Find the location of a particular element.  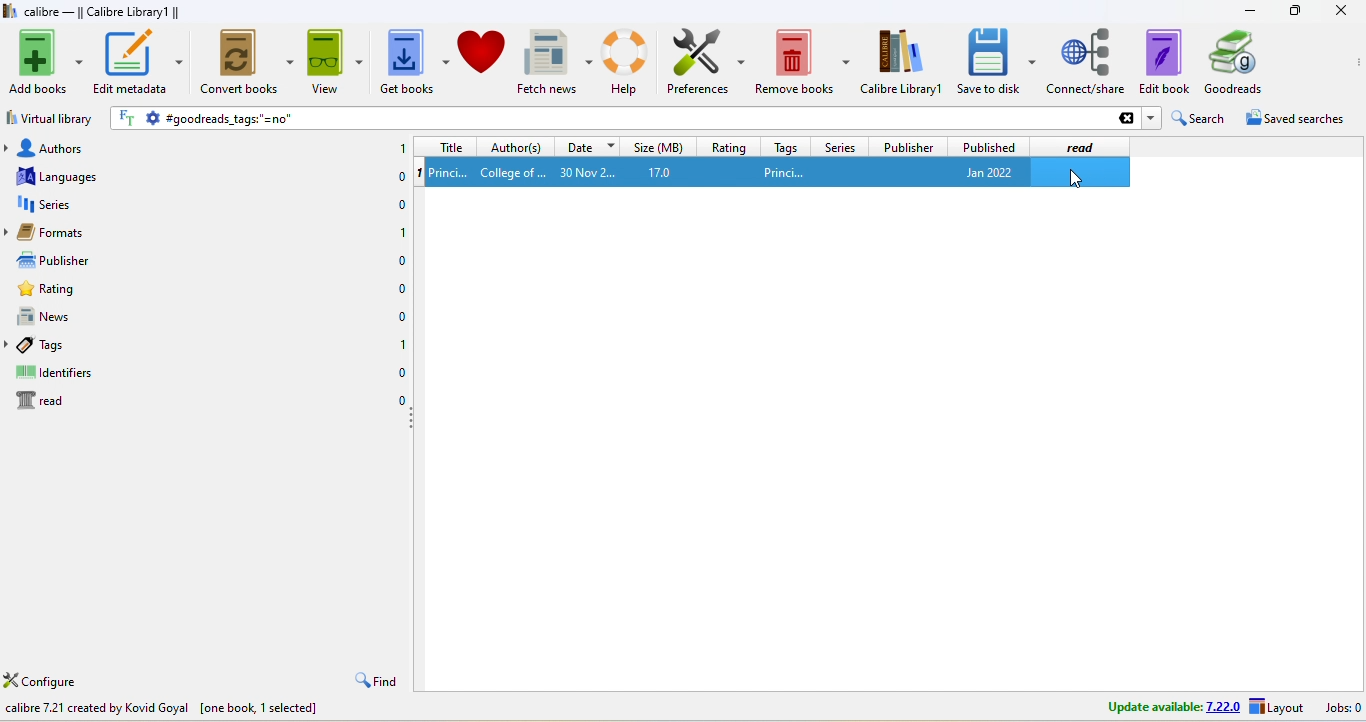

add books is located at coordinates (44, 62).